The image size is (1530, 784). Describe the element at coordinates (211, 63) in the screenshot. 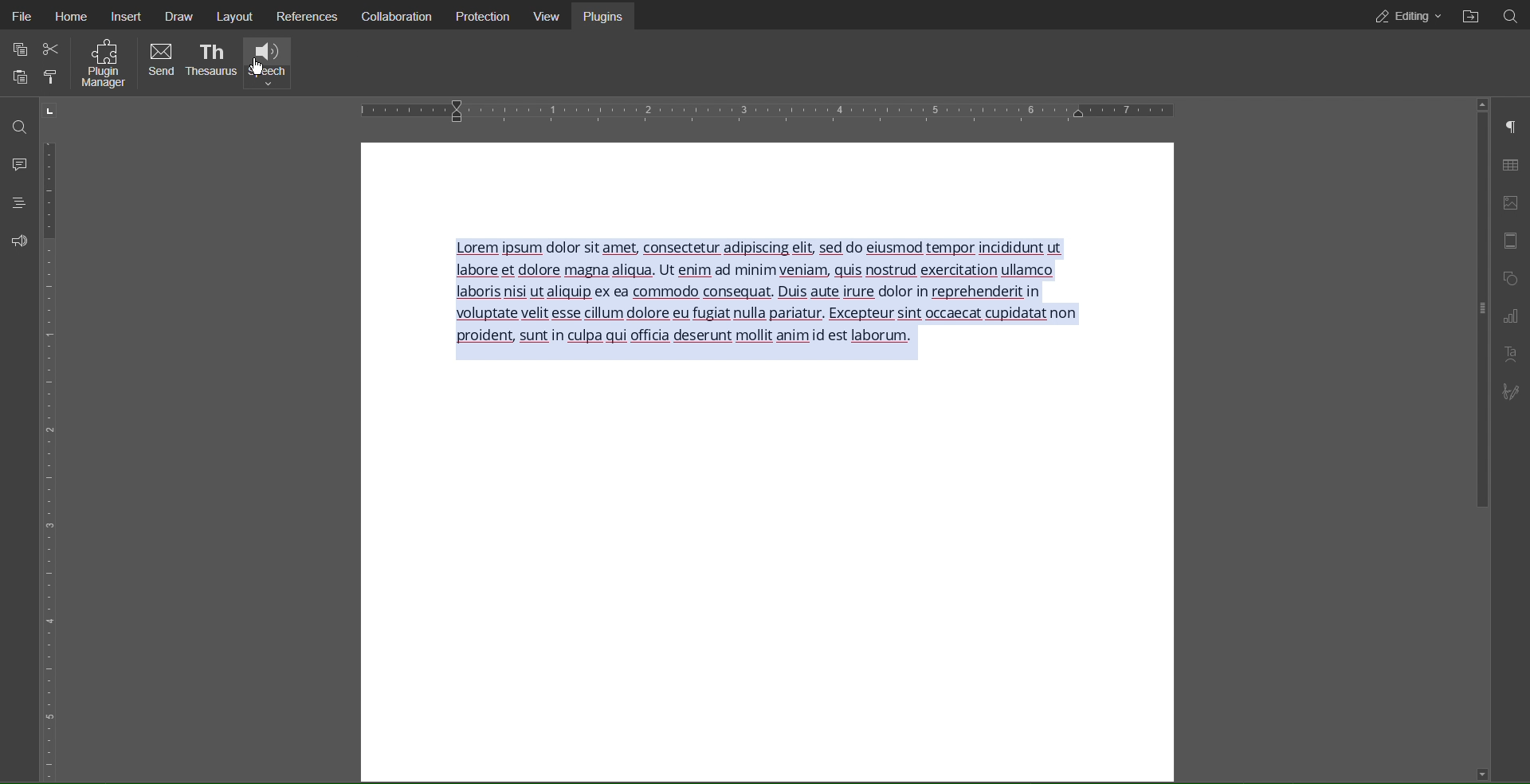

I see `Thesaurus` at that location.